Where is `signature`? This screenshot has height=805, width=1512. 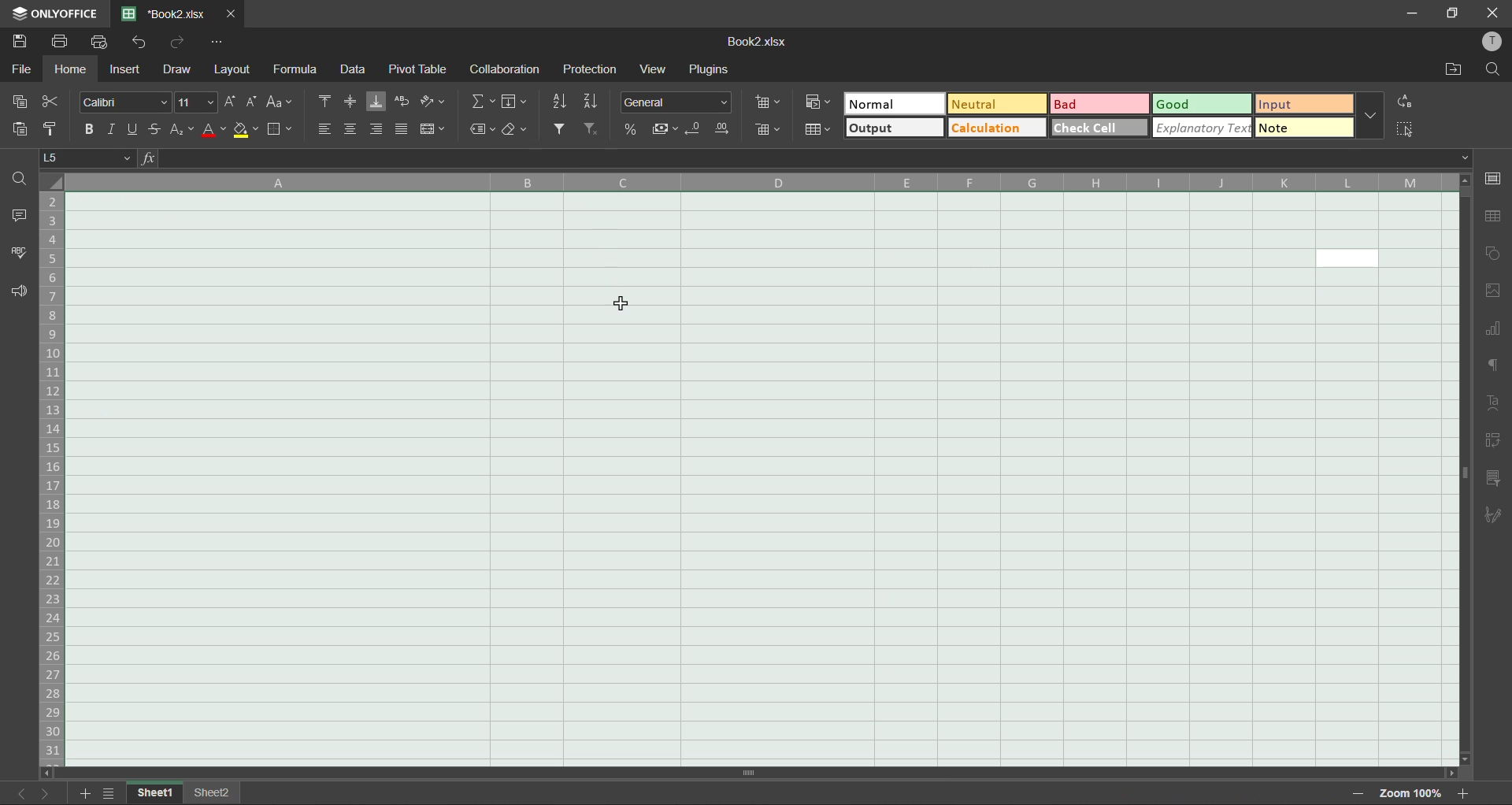
signature is located at coordinates (1492, 517).